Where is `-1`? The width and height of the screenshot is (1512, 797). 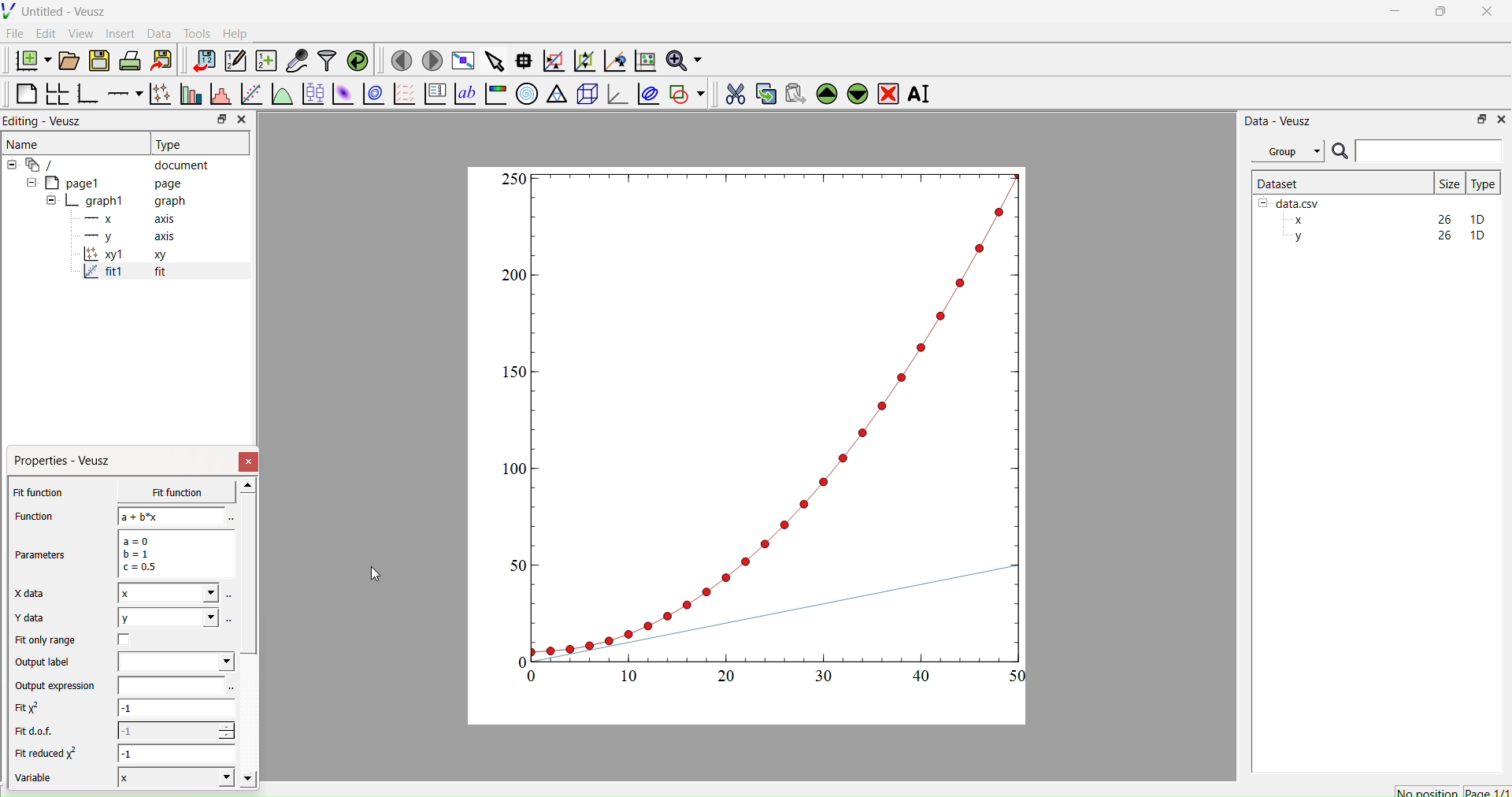 -1 is located at coordinates (176, 730).